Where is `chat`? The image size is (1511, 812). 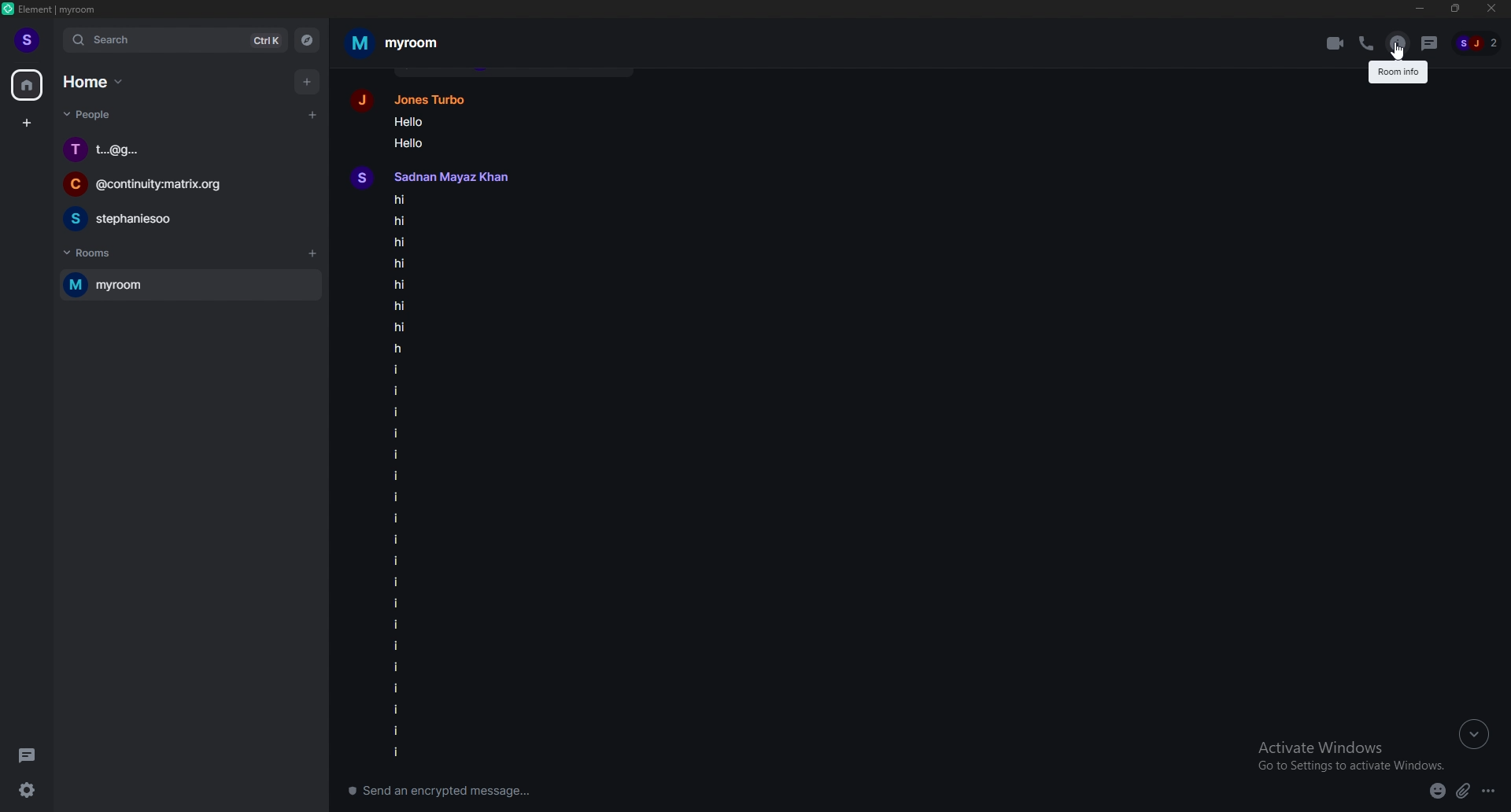
chat is located at coordinates (187, 219).